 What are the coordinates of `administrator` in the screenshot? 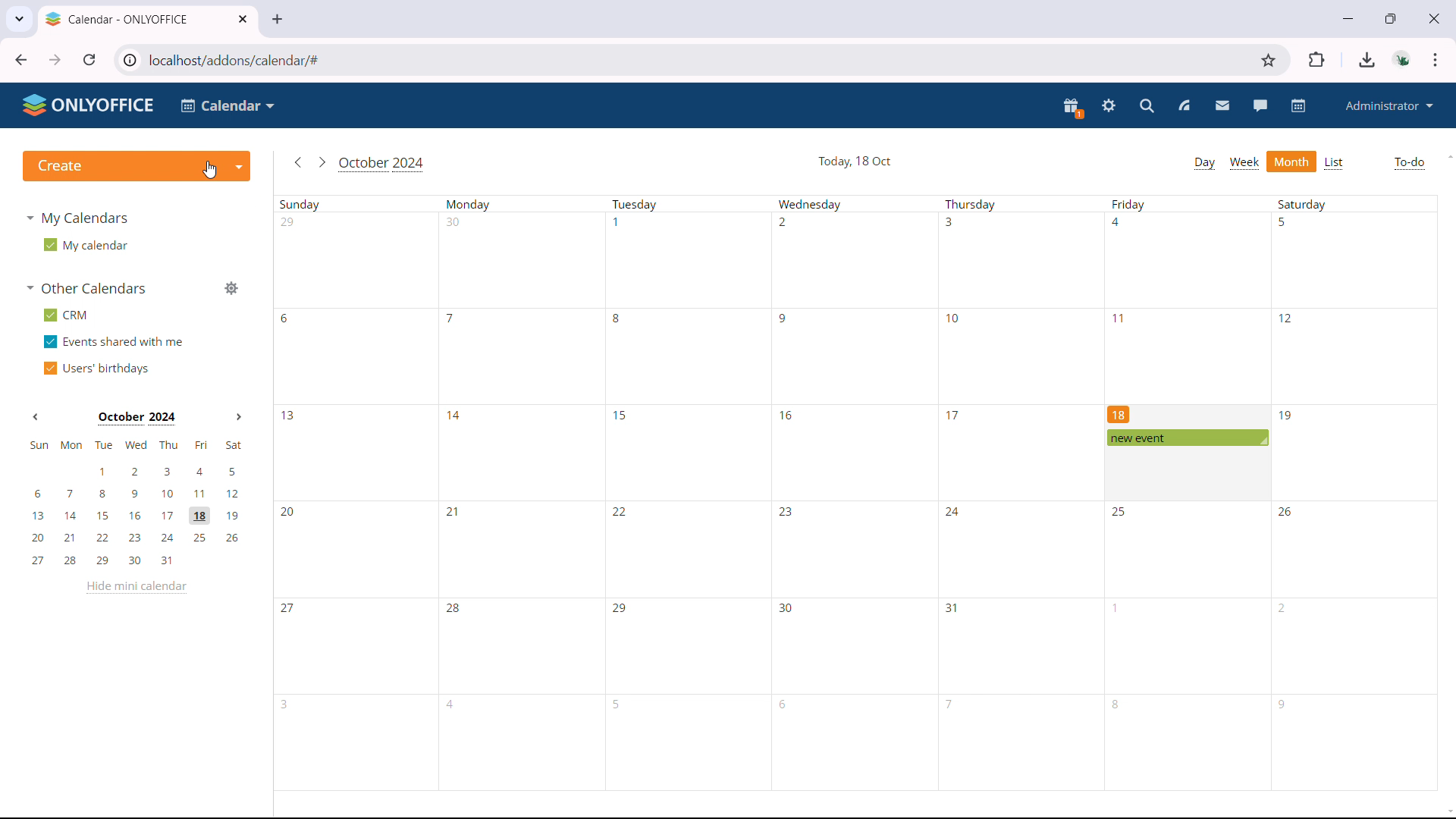 It's located at (1388, 105).